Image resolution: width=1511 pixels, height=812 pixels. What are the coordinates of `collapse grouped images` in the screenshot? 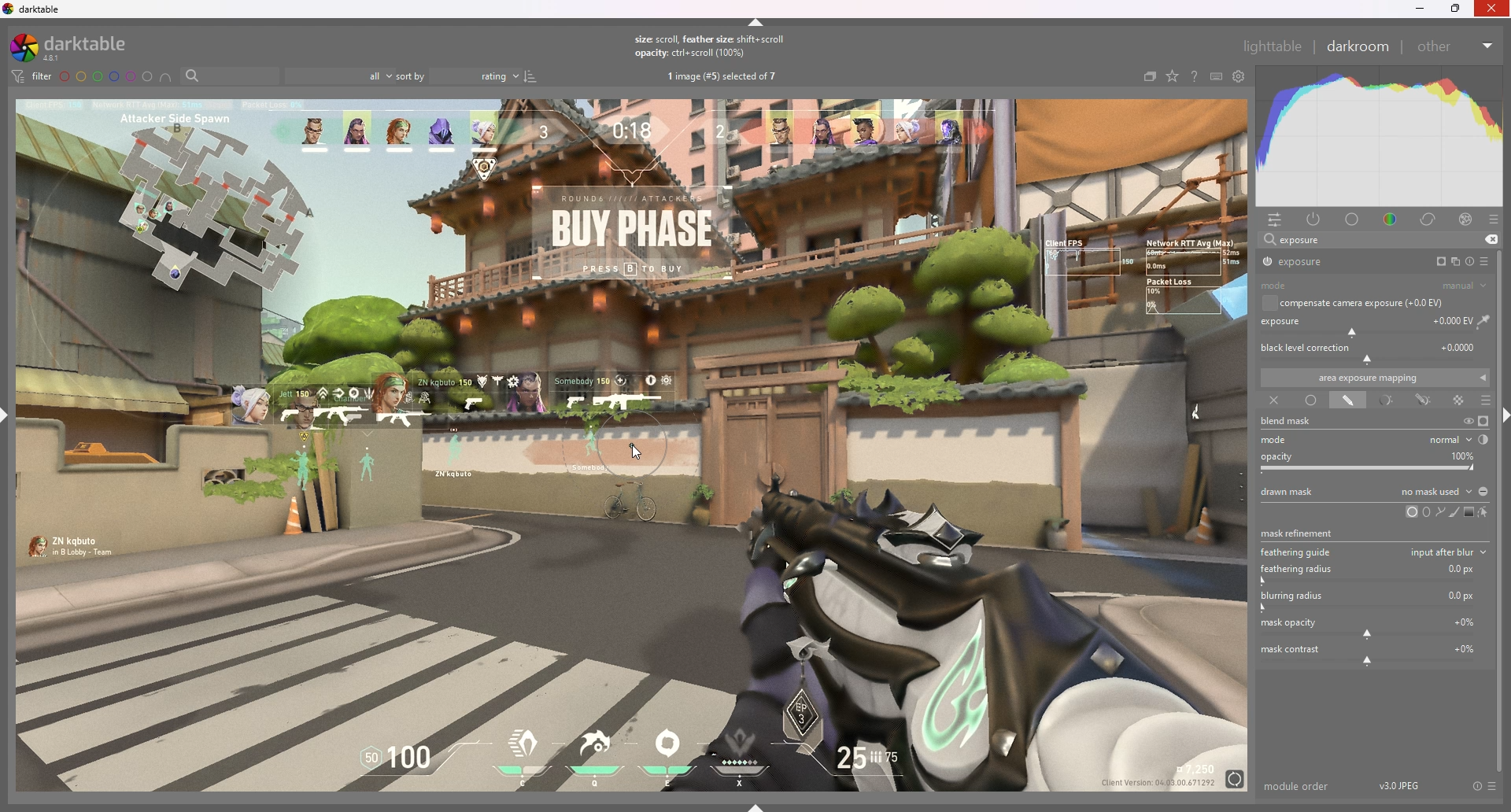 It's located at (1149, 78).